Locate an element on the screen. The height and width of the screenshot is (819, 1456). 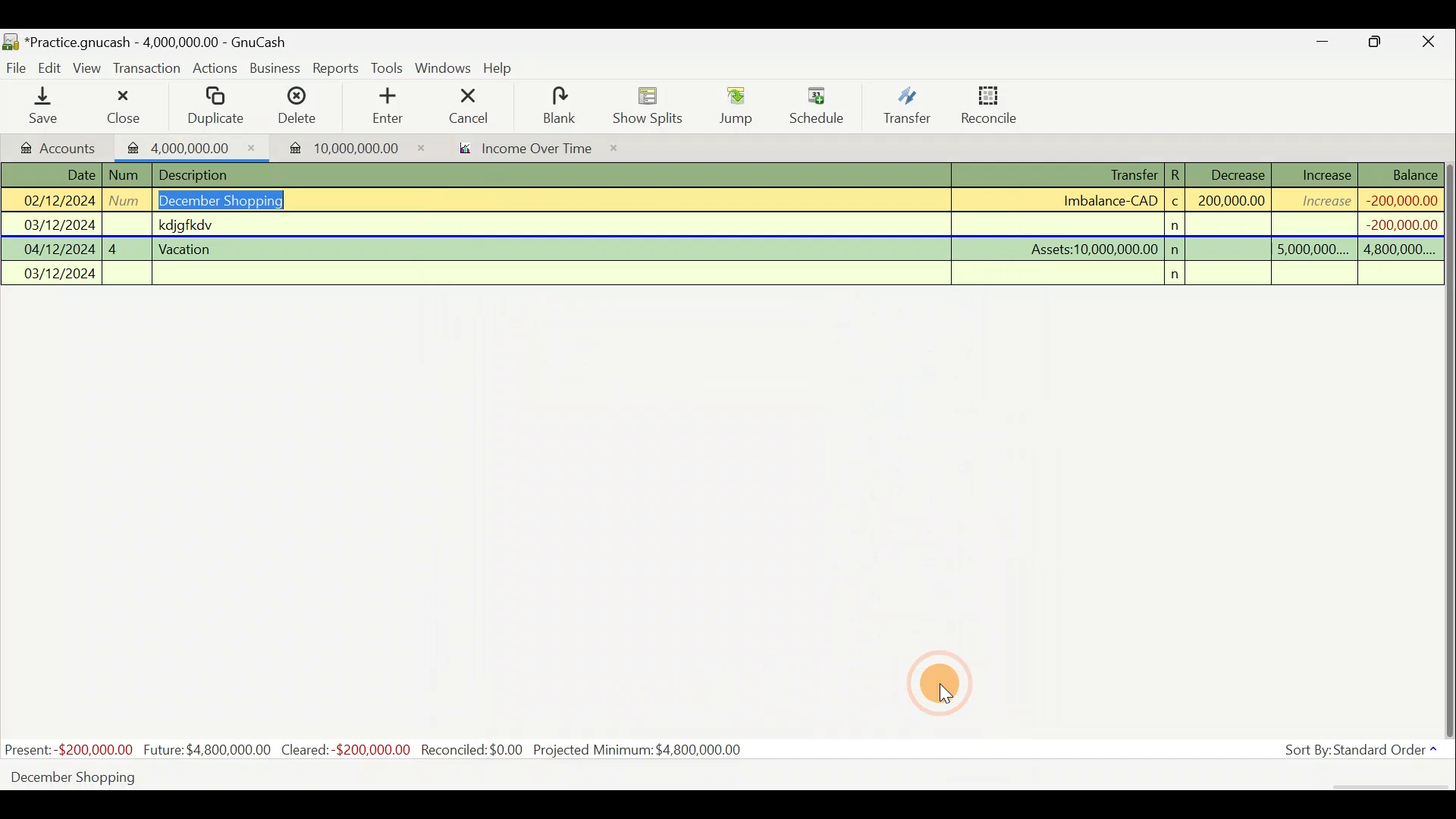
Accounts is located at coordinates (60, 146).